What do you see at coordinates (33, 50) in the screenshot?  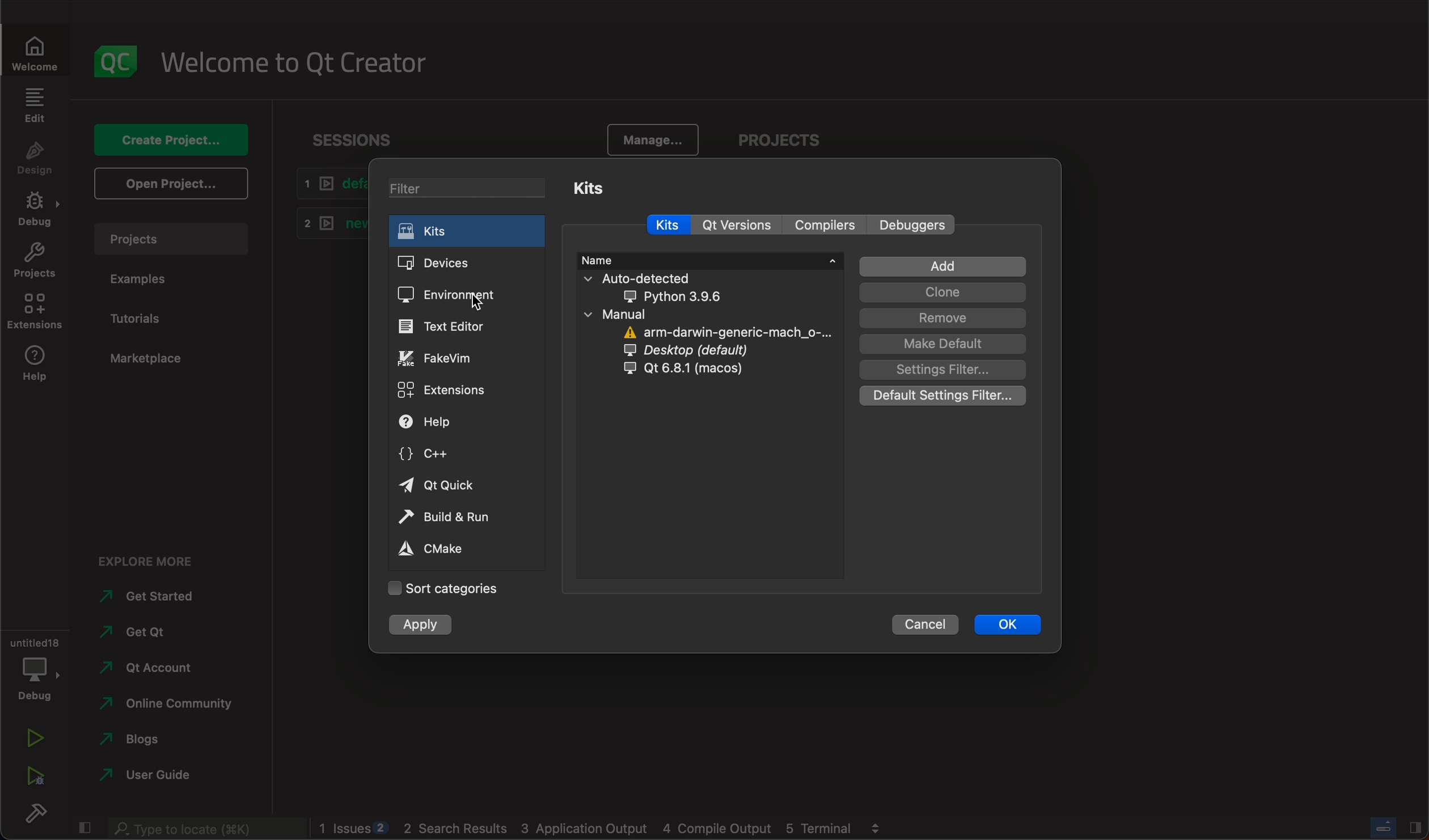 I see `welcome` at bounding box center [33, 50].